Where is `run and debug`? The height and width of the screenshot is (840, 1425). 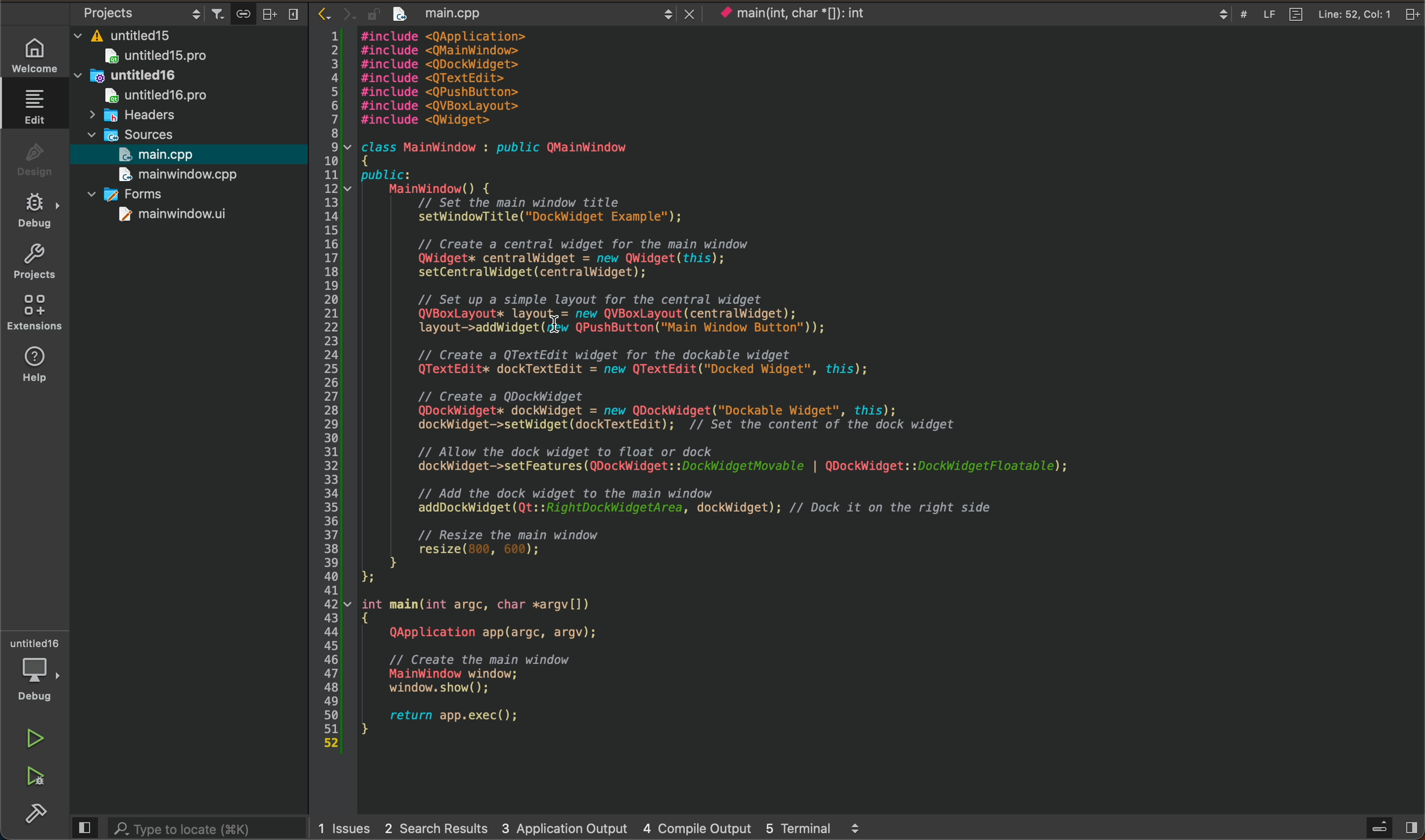
run and debug is located at coordinates (38, 776).